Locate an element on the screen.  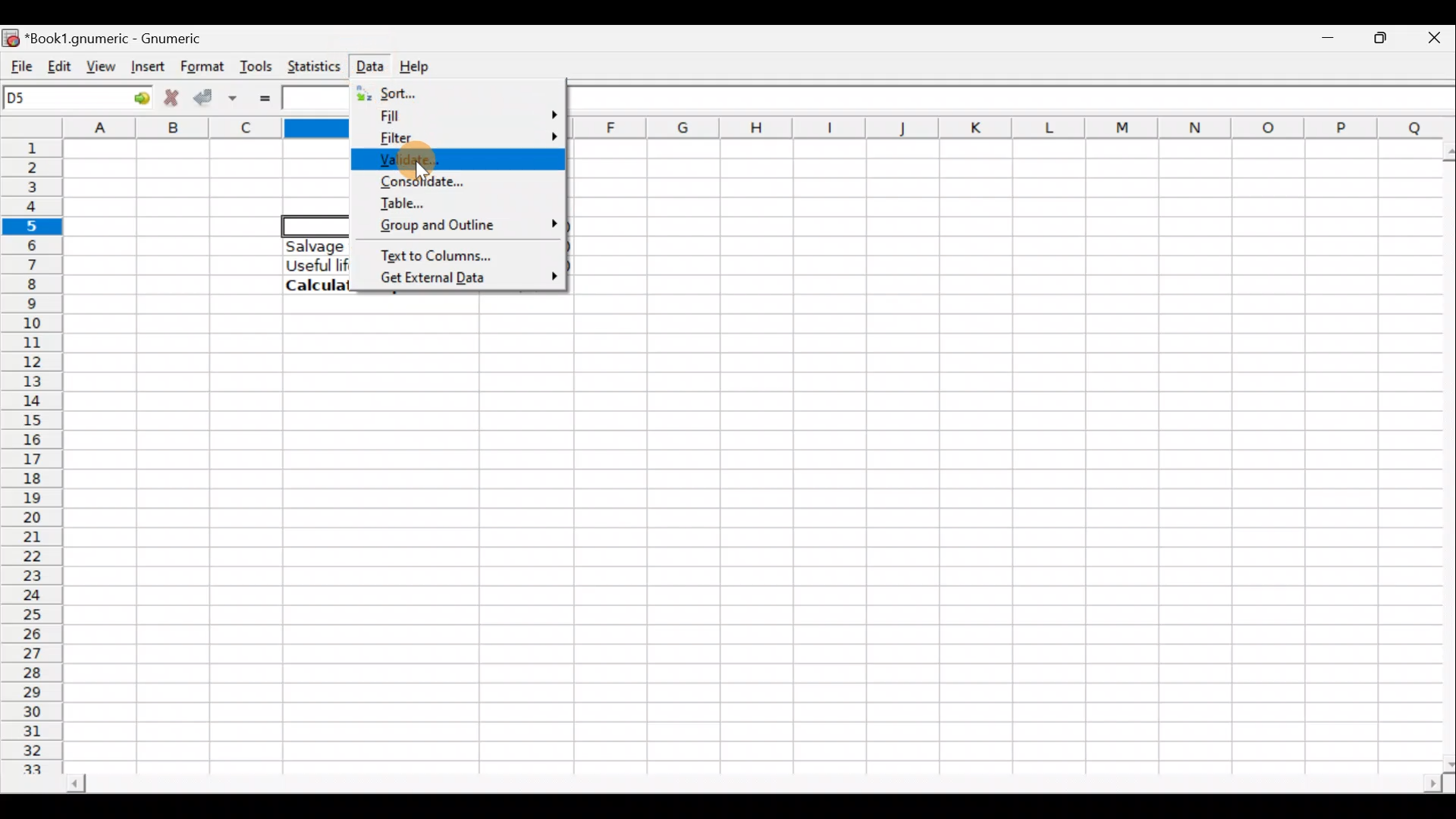
Go to is located at coordinates (136, 99).